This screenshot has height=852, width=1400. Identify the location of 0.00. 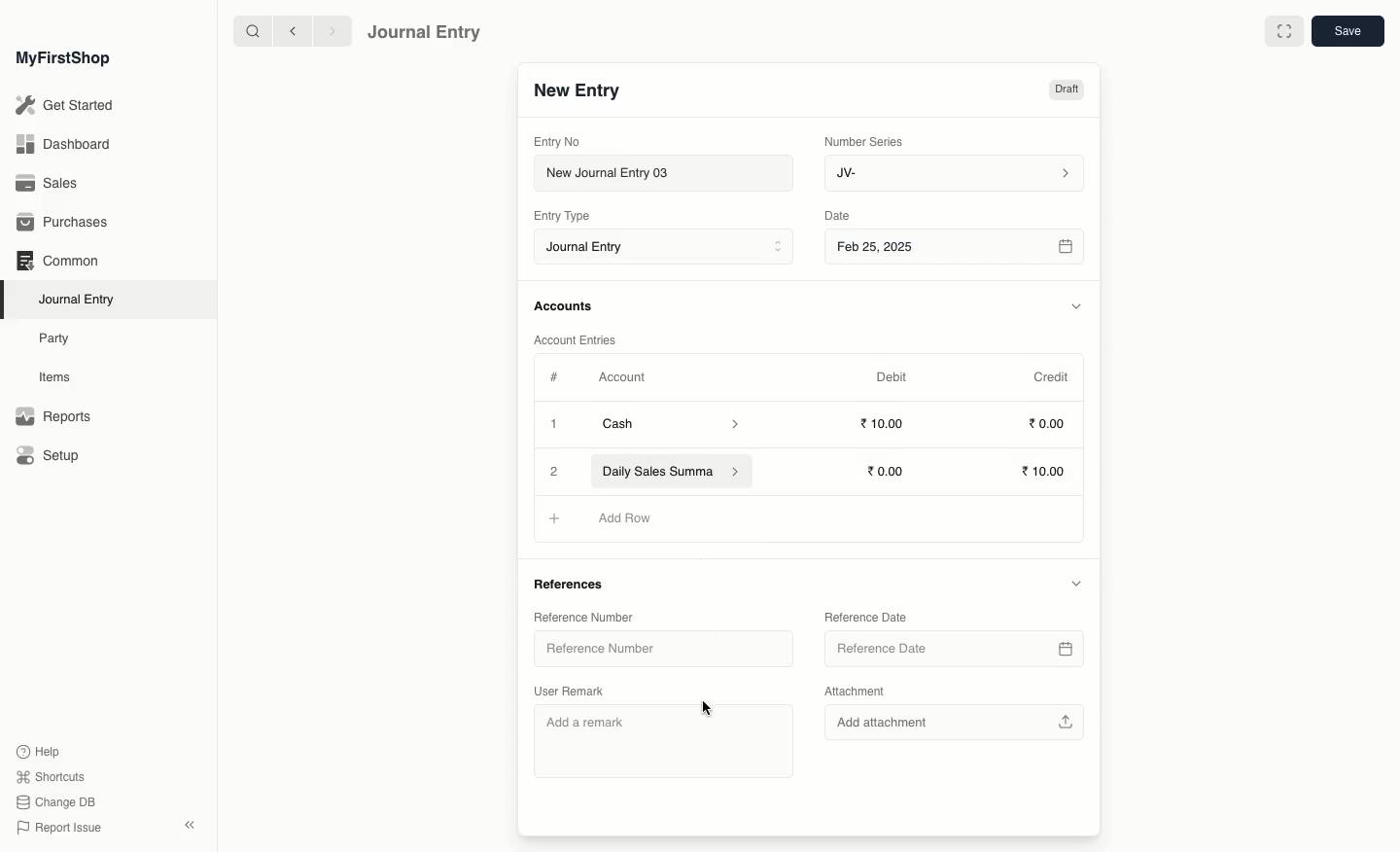
(1048, 427).